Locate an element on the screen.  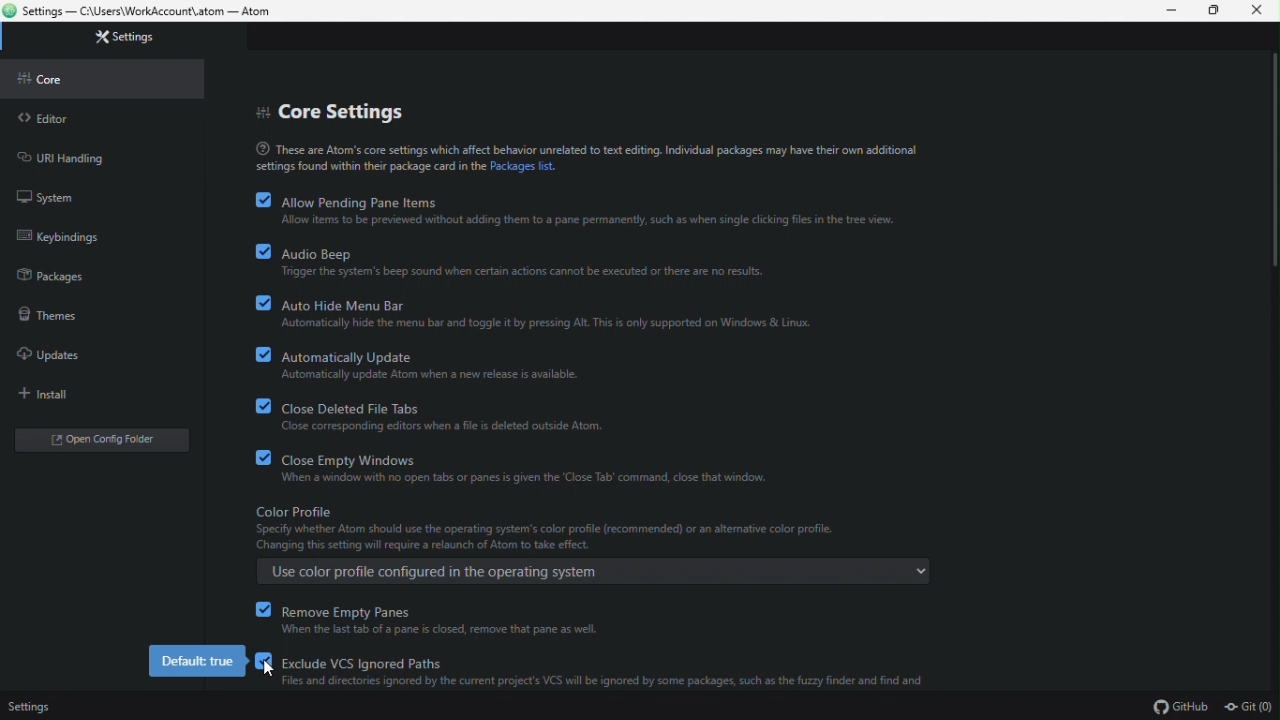
Close empty Windows is located at coordinates (585, 467).